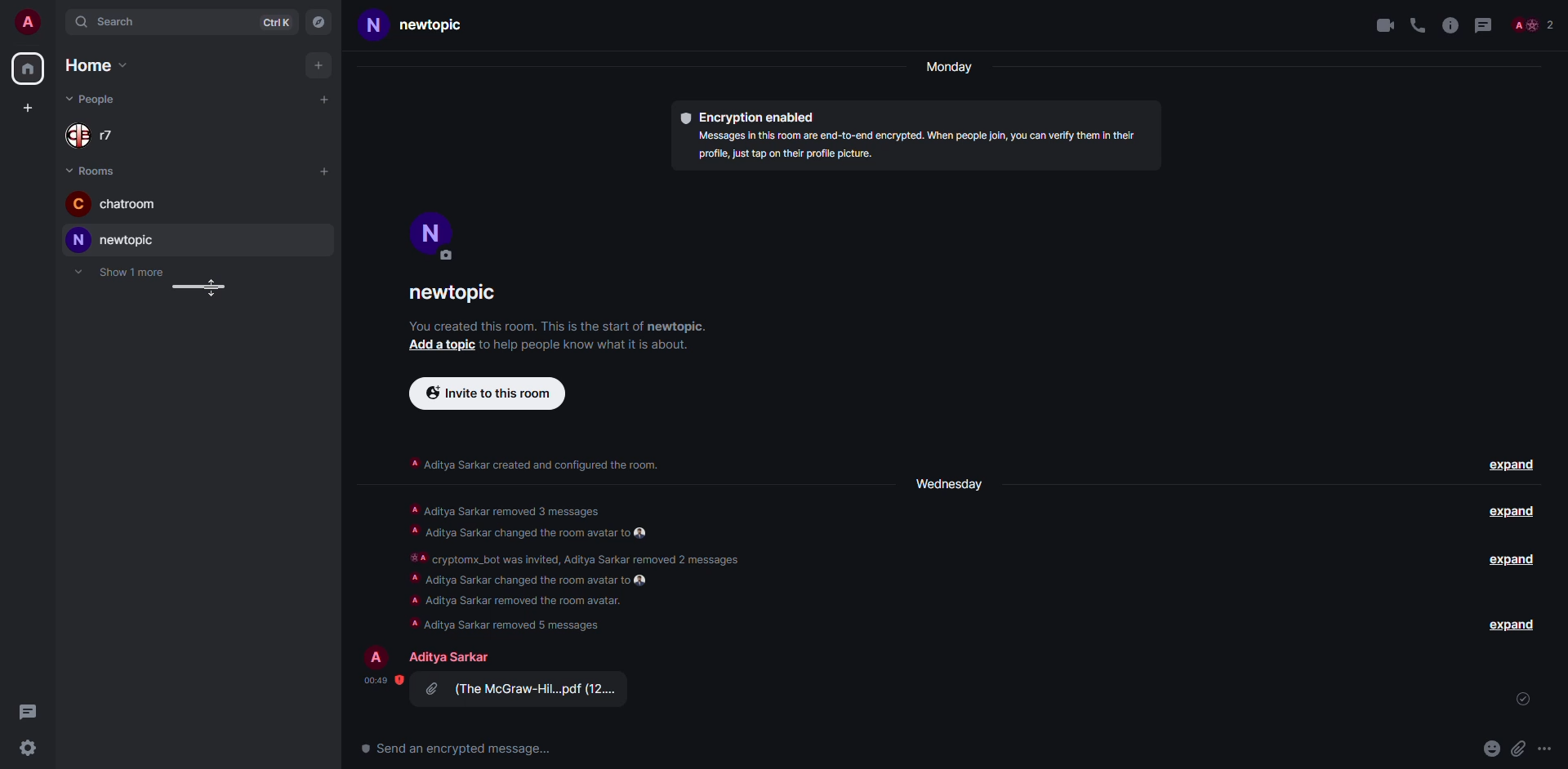 Image resolution: width=1568 pixels, height=769 pixels. Describe the element at coordinates (1510, 513) in the screenshot. I see `expand` at that location.